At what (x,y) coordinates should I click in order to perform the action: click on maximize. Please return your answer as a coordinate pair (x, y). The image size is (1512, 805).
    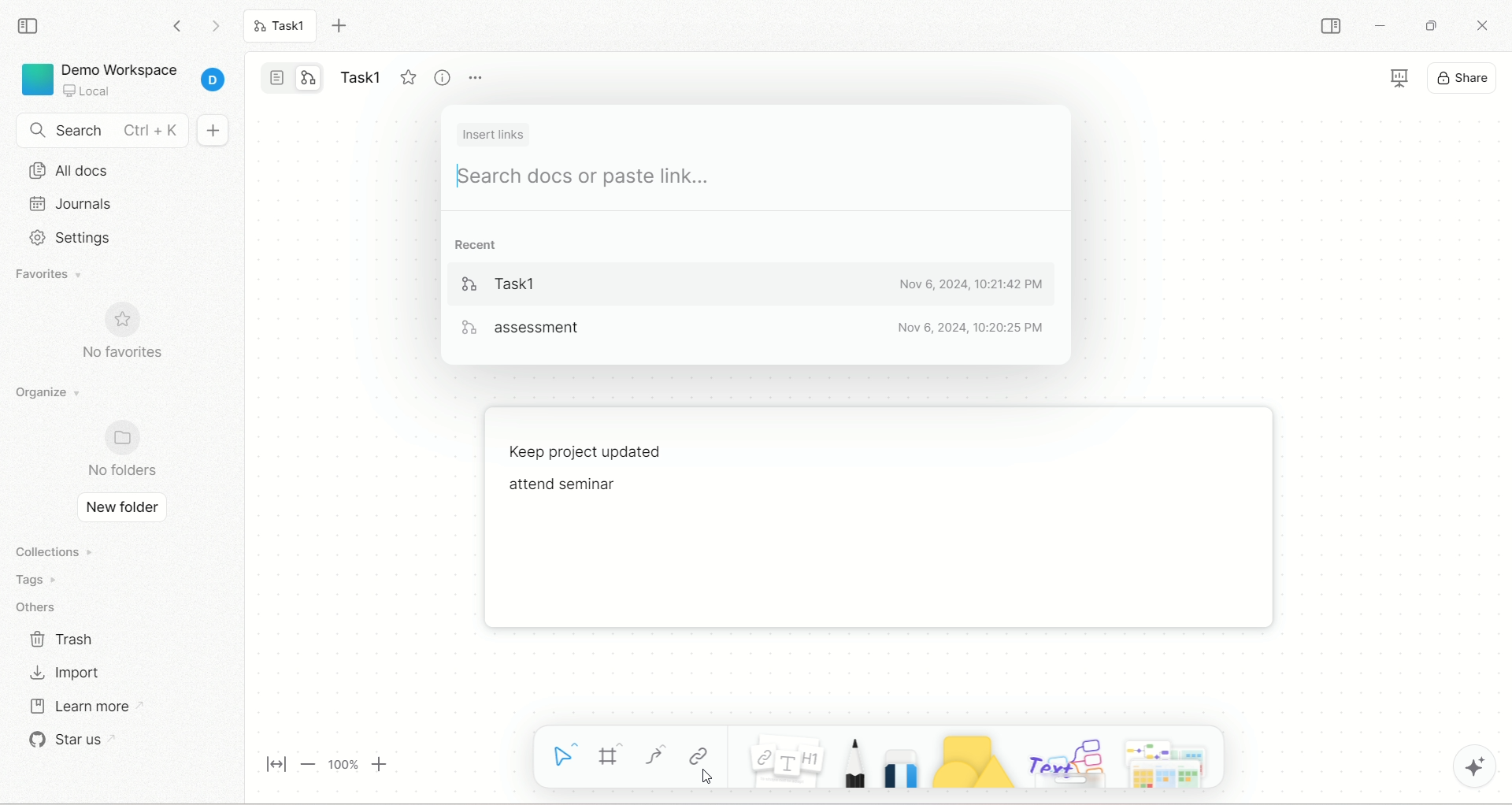
    Looking at the image, I should click on (1429, 24).